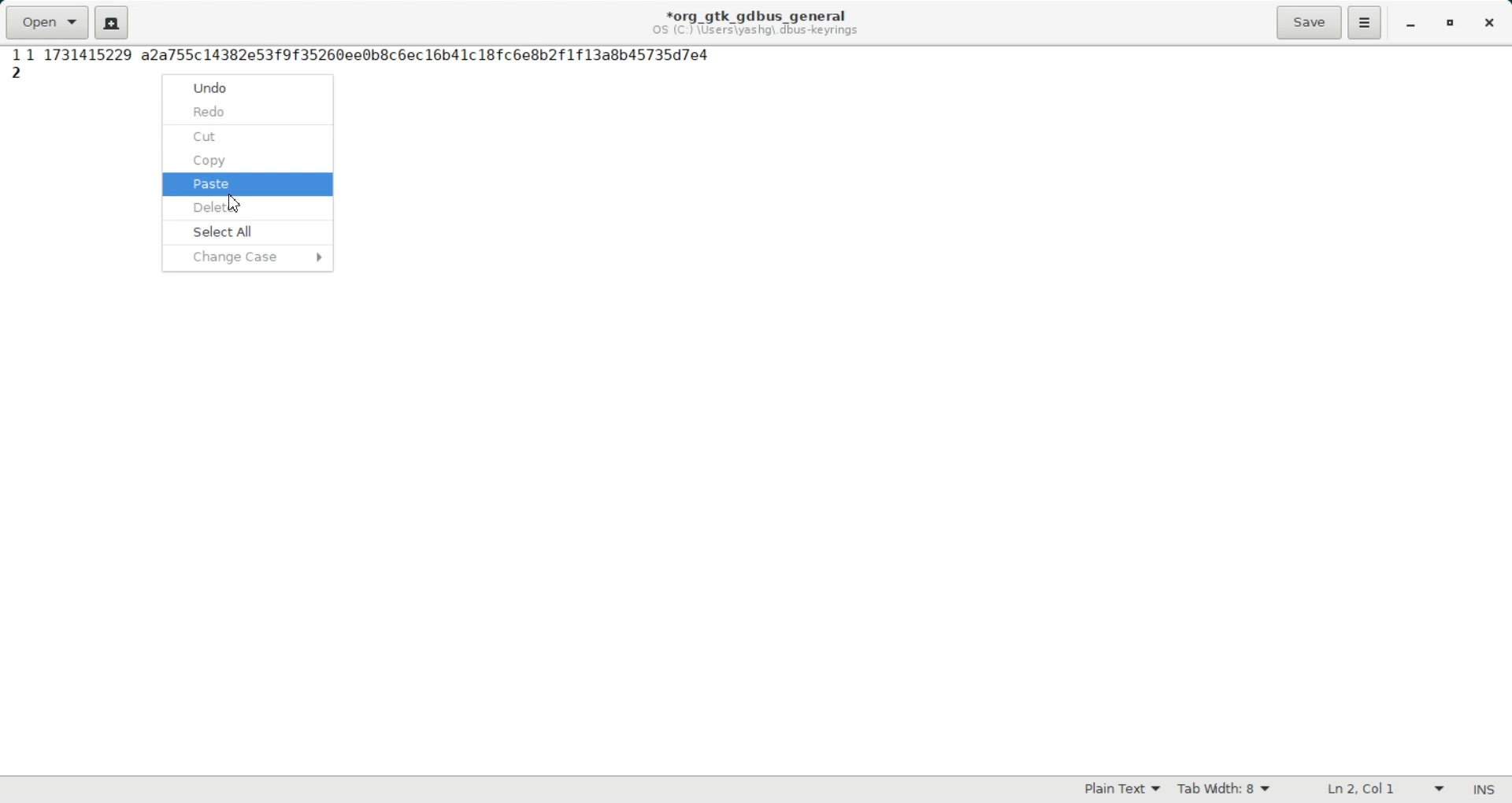 The height and width of the screenshot is (803, 1512). Describe the element at coordinates (250, 160) in the screenshot. I see `copy` at that location.